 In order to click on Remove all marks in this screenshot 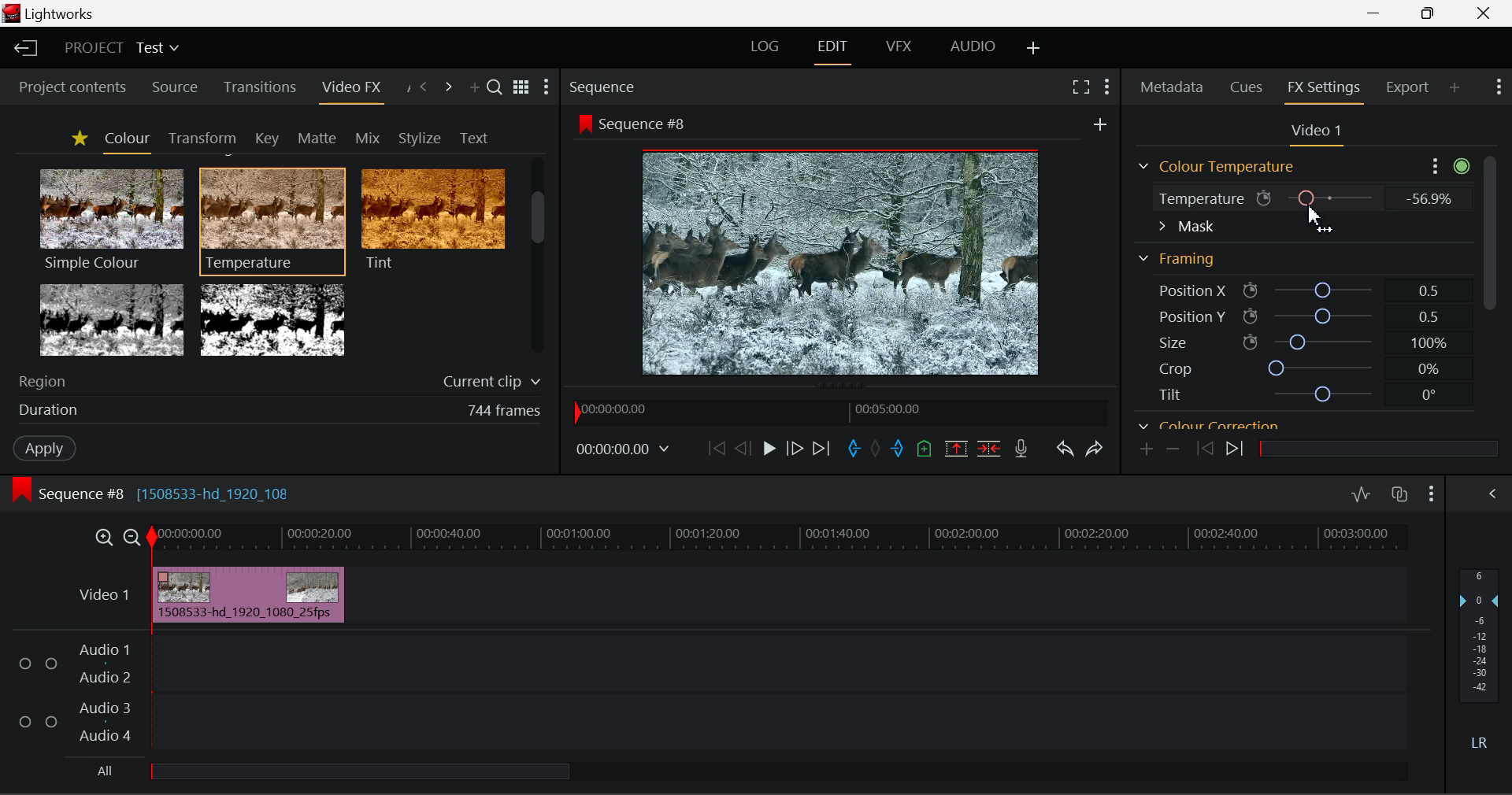, I will do `click(875, 450)`.